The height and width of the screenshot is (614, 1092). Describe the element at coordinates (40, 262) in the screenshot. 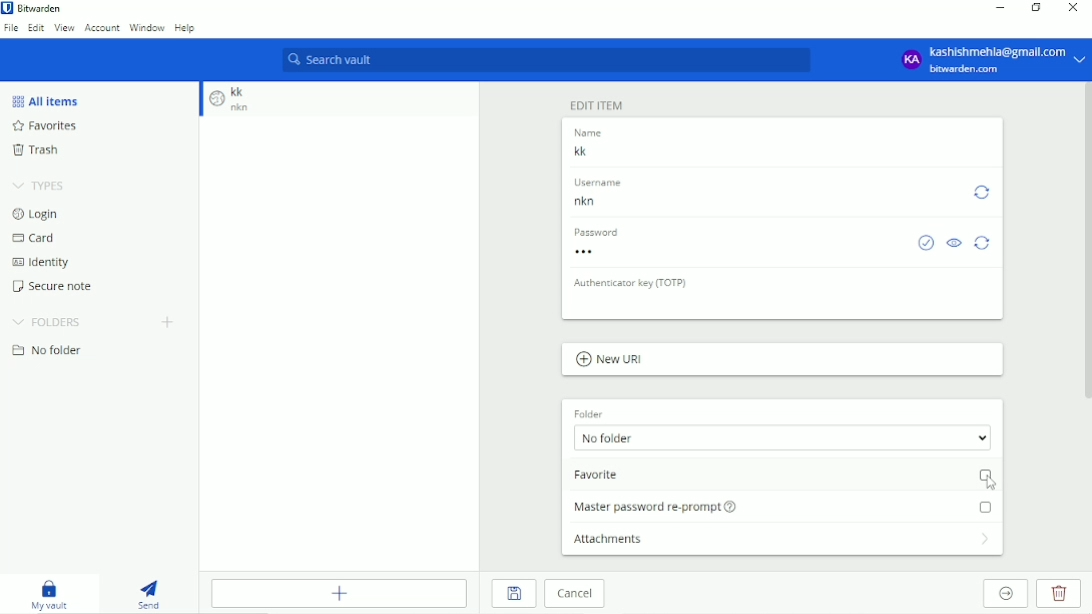

I see `Identity` at that location.